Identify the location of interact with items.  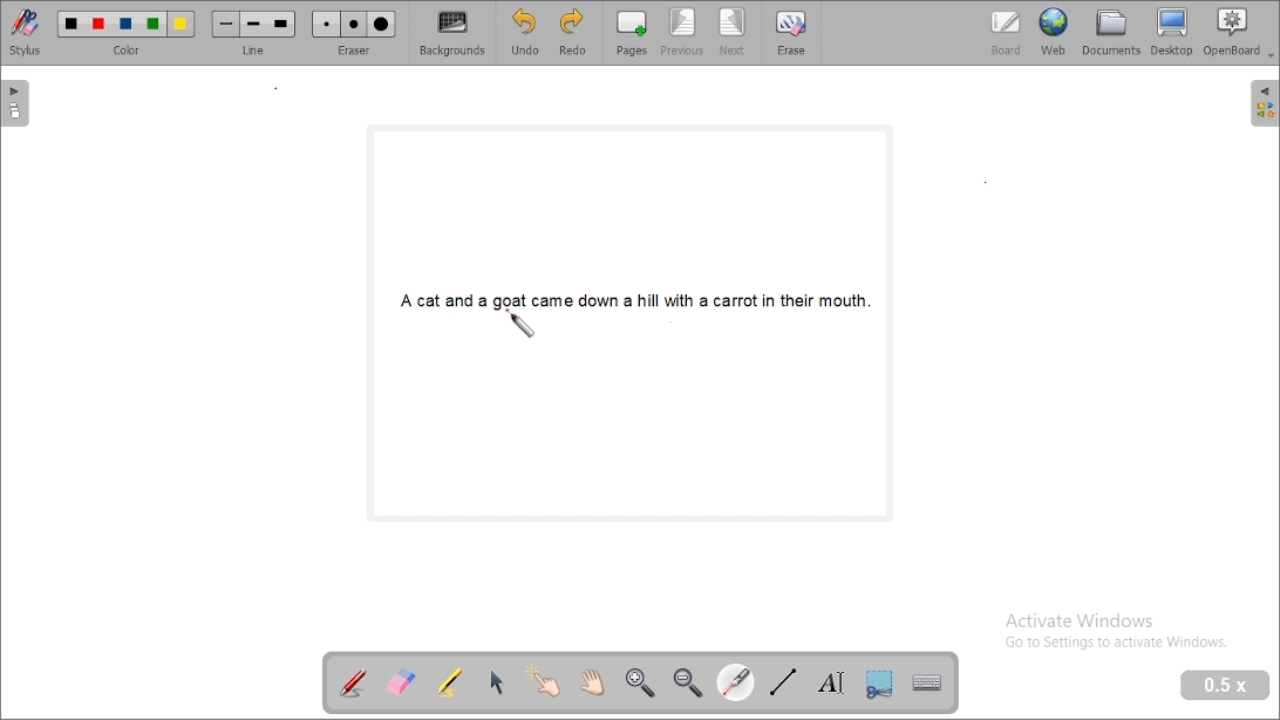
(542, 680).